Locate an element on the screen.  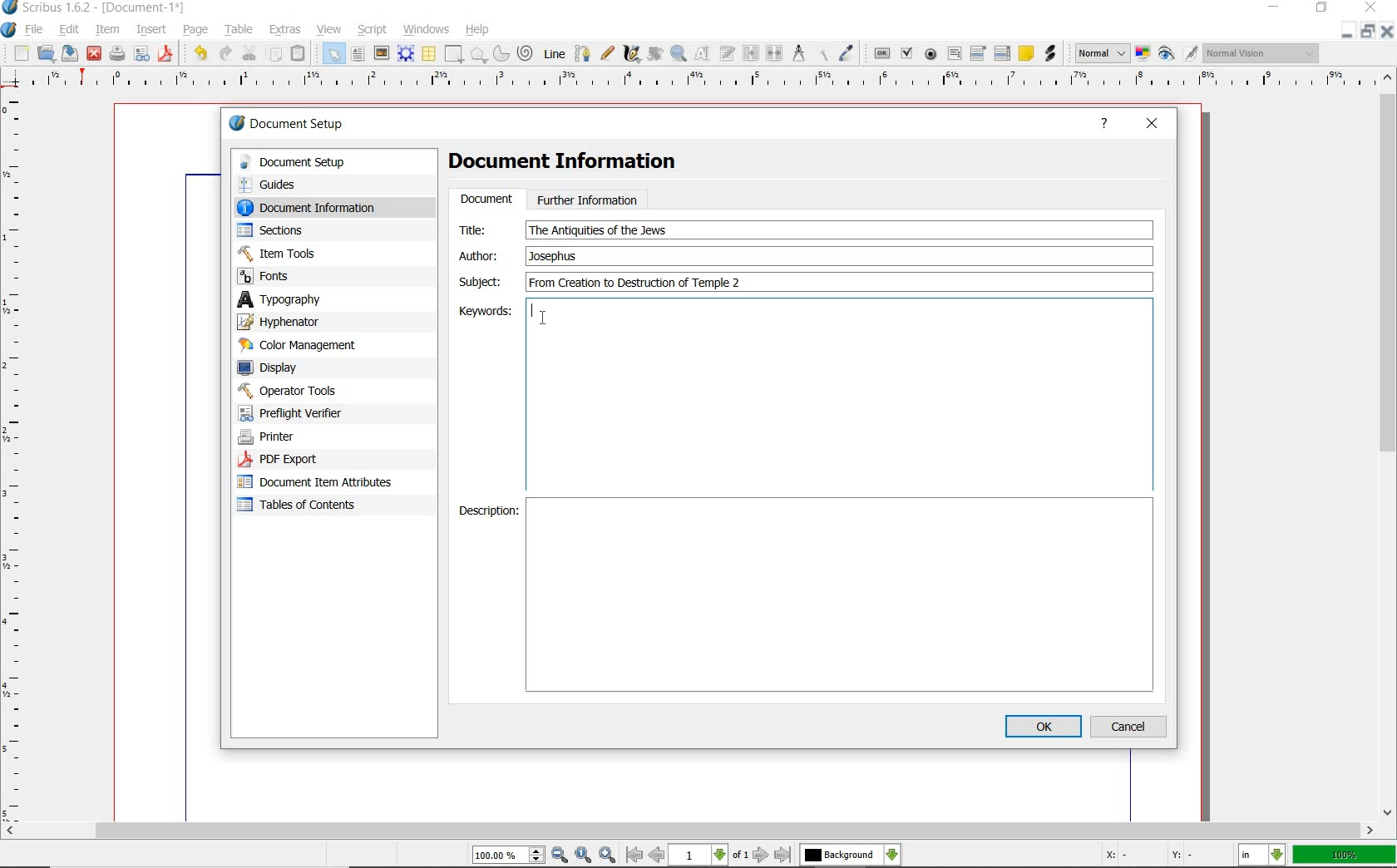
document setup is located at coordinates (288, 123).